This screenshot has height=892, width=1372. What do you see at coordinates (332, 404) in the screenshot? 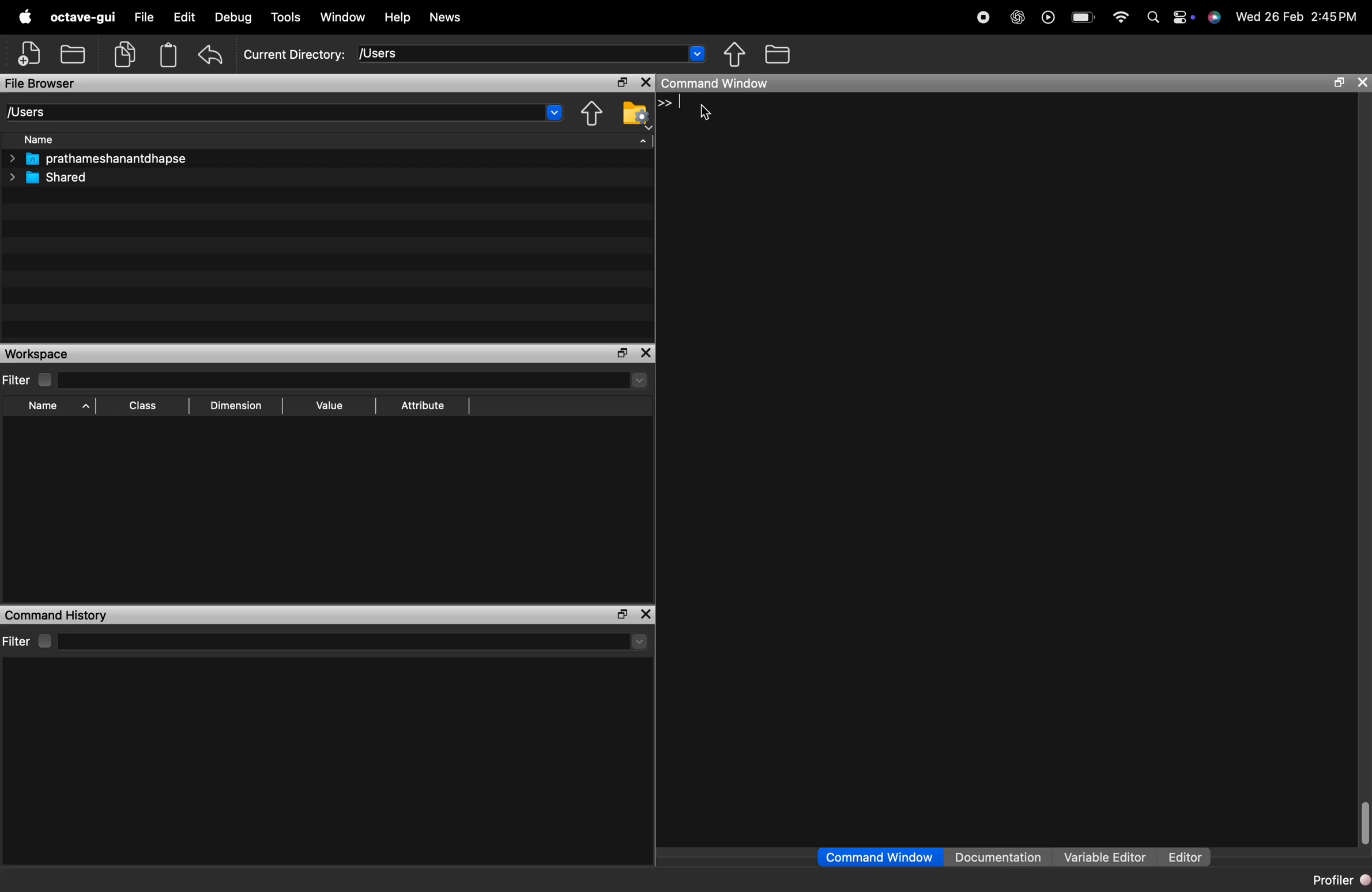
I see `Value` at bounding box center [332, 404].